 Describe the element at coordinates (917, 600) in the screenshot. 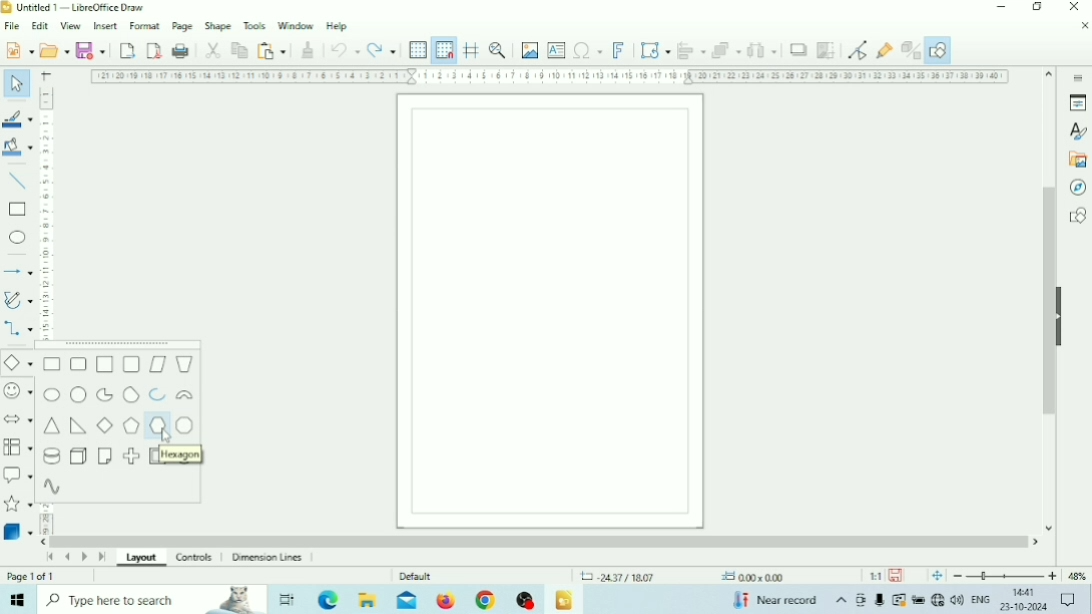

I see `Charging, plugged in` at that location.